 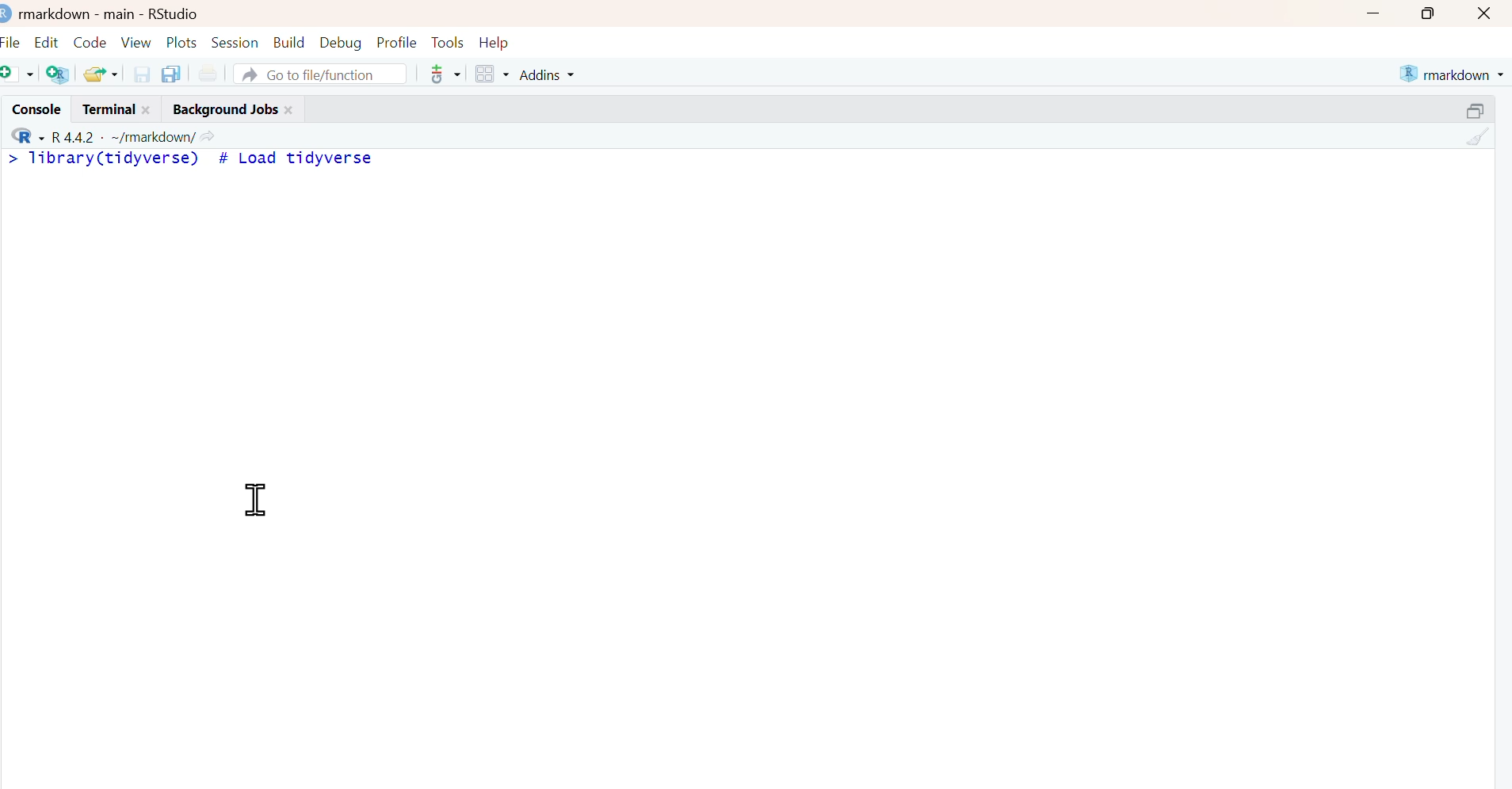 What do you see at coordinates (550, 74) in the screenshot?
I see `Addins` at bounding box center [550, 74].